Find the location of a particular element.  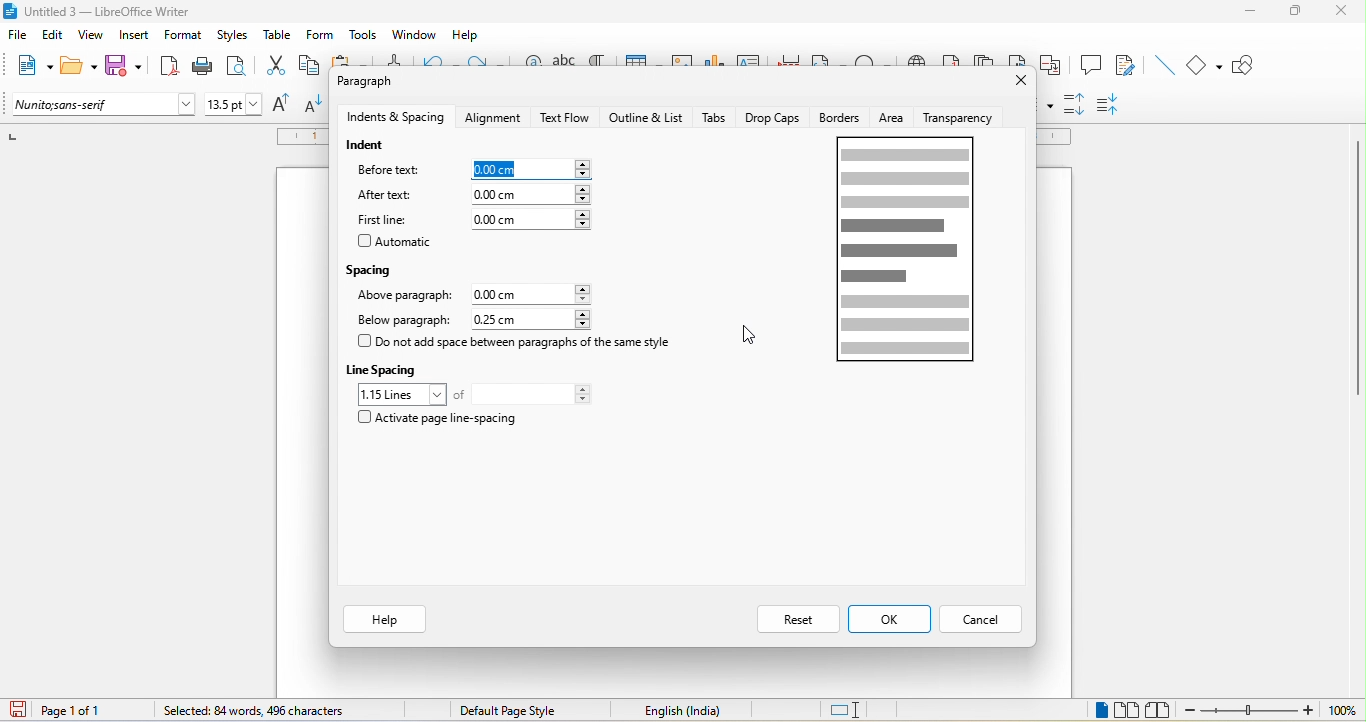

font size is located at coordinates (234, 105).